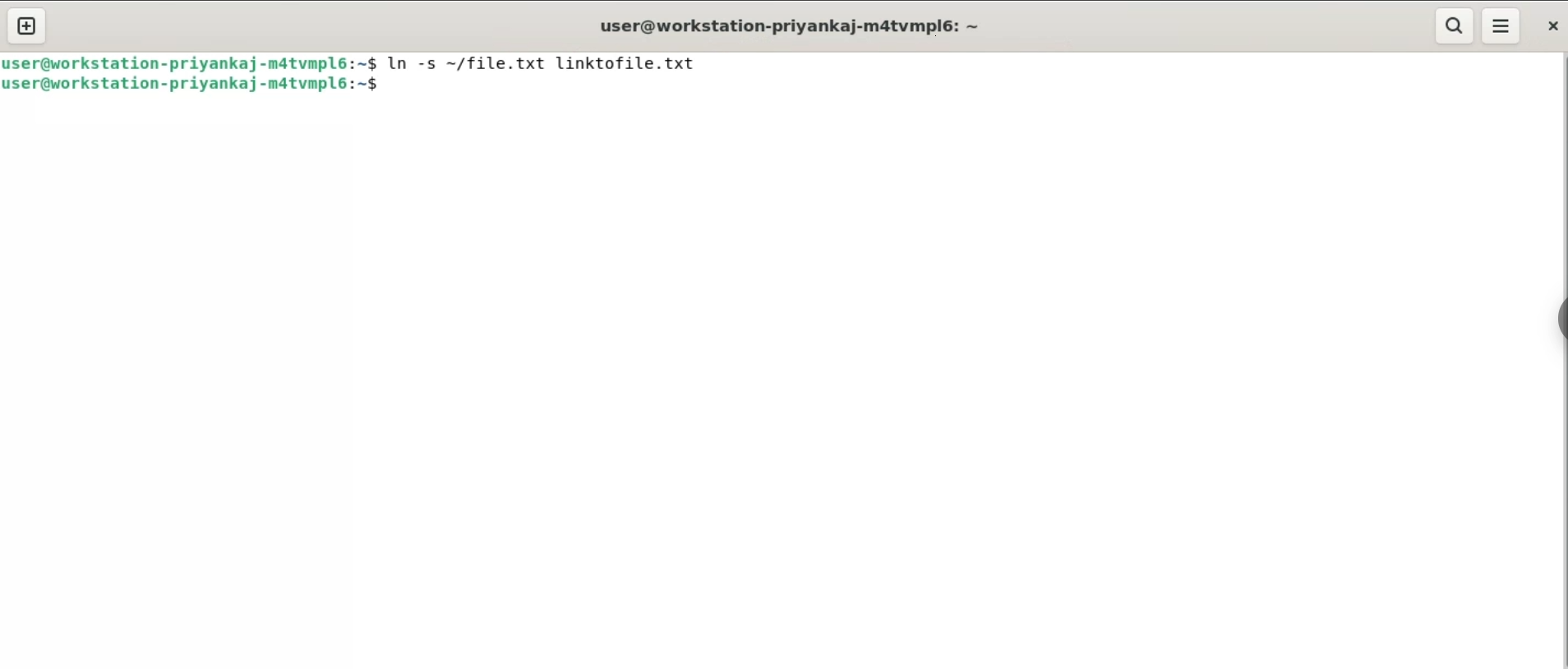  What do you see at coordinates (174, 65) in the screenshot?
I see `user@workstation-priyankaj-m4tvmplé` at bounding box center [174, 65].